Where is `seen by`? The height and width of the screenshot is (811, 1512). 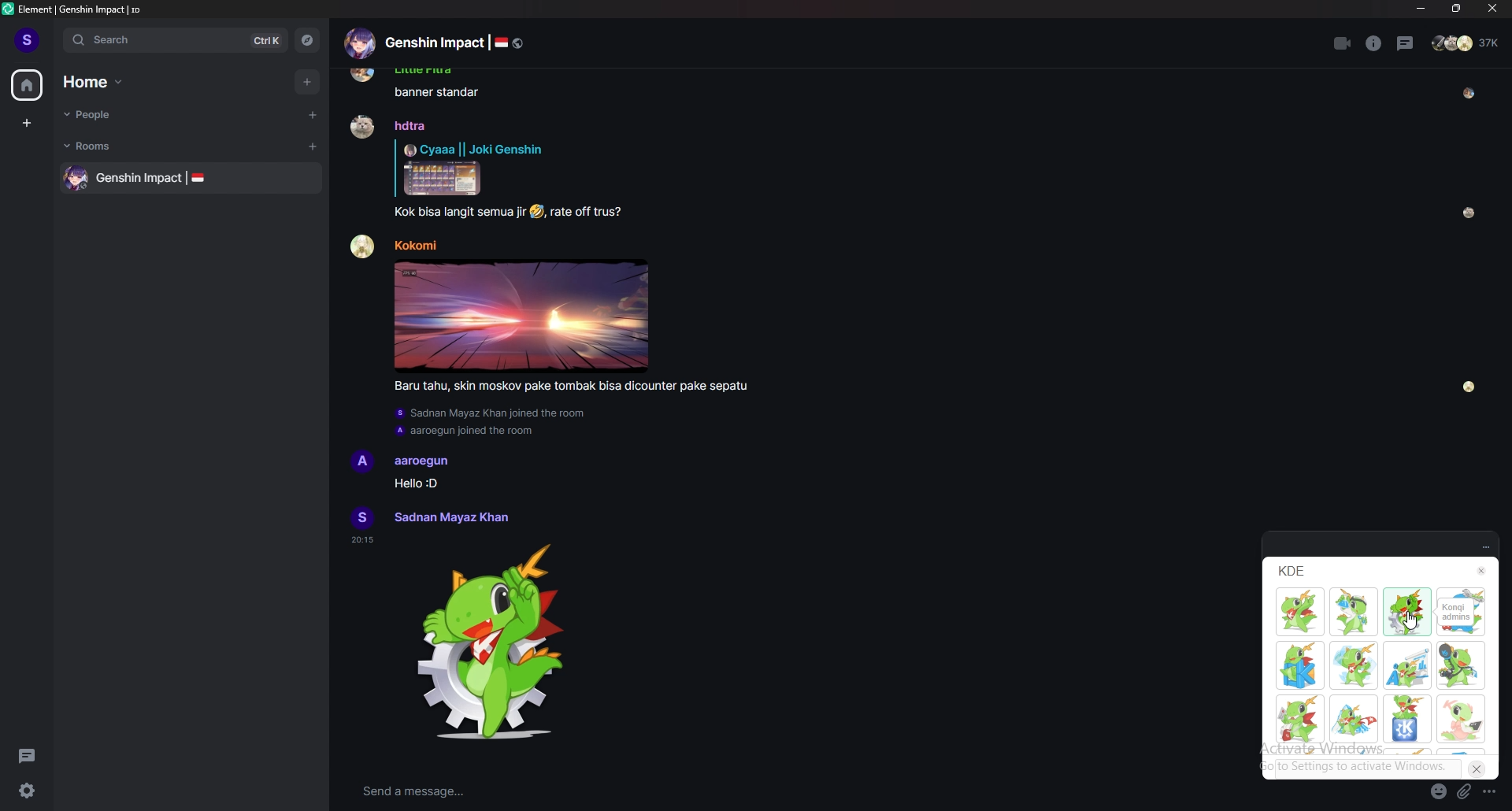
seen by is located at coordinates (1469, 94).